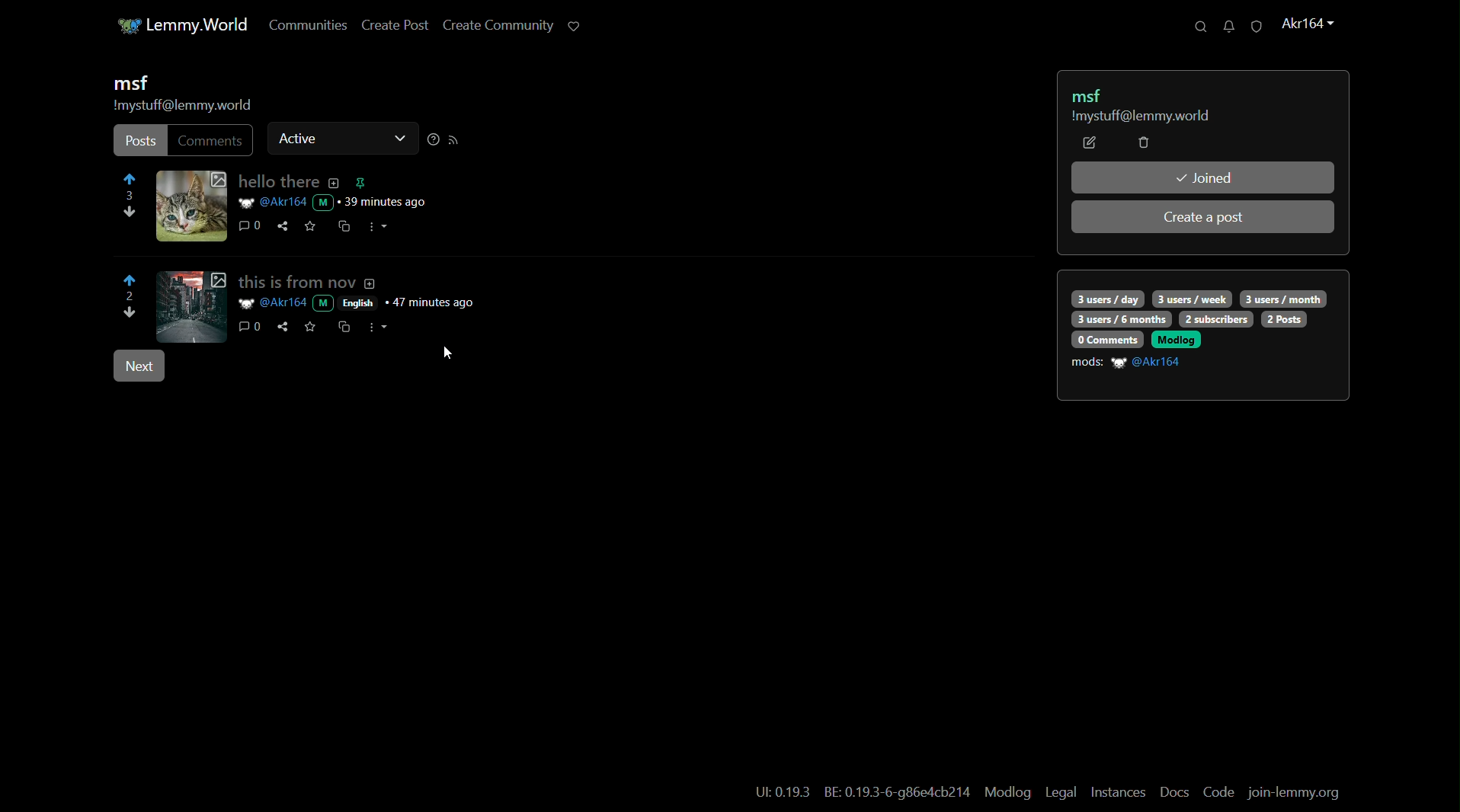 The height and width of the screenshot is (812, 1460). I want to click on upvote, so click(130, 181).